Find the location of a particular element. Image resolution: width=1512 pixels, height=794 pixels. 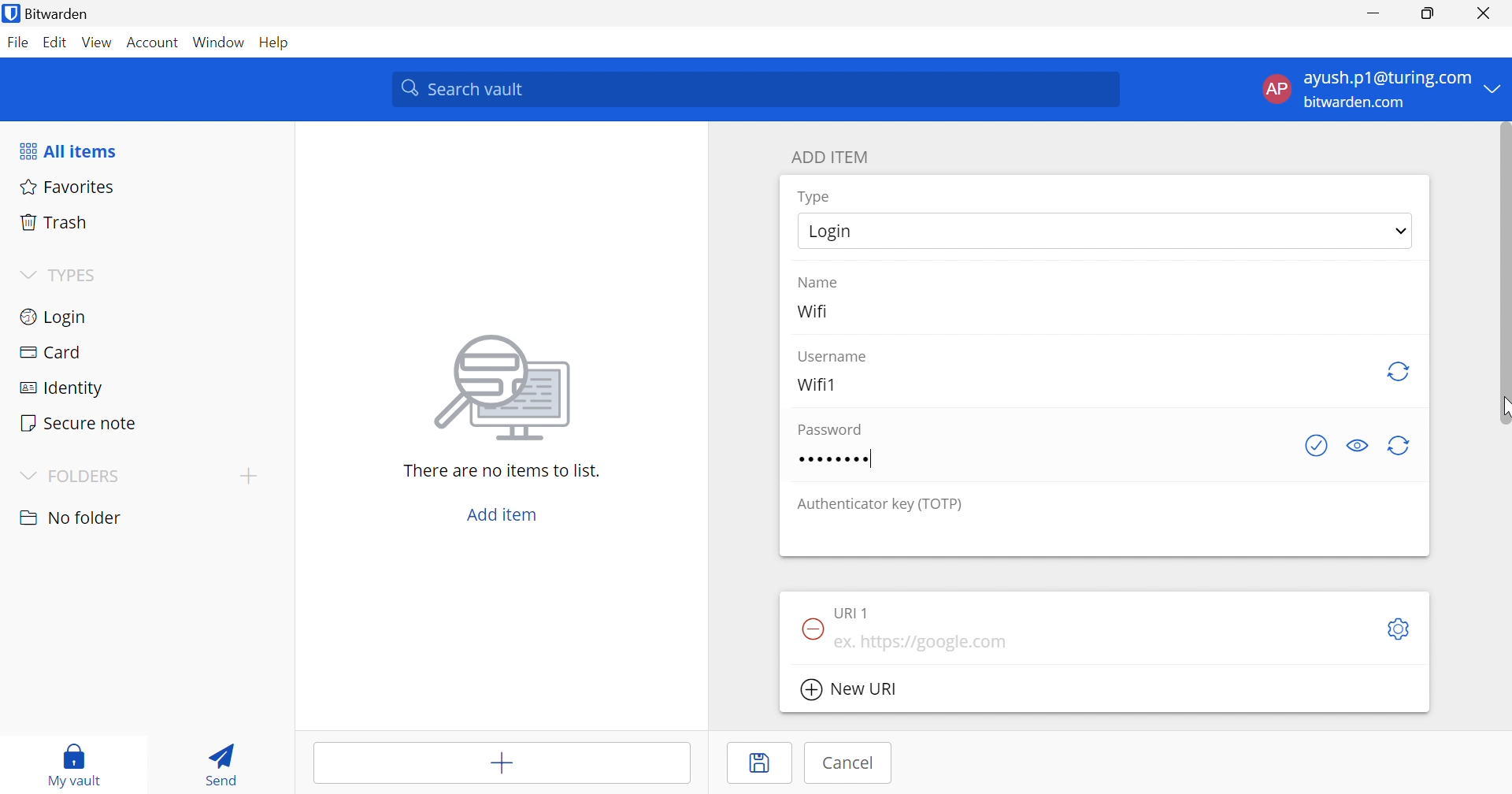

Drop Down is located at coordinates (27, 276).